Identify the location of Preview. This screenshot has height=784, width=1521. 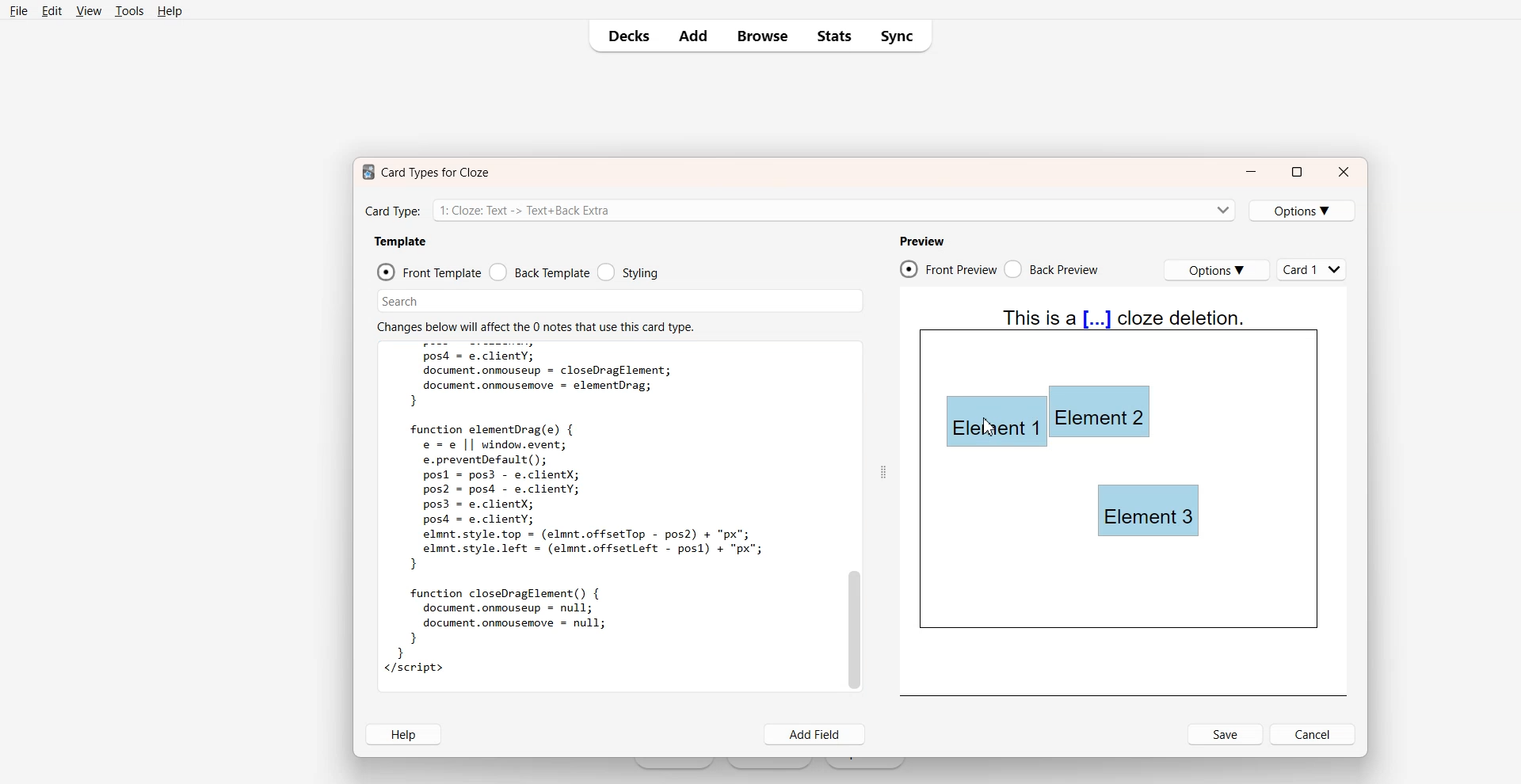
(921, 241).